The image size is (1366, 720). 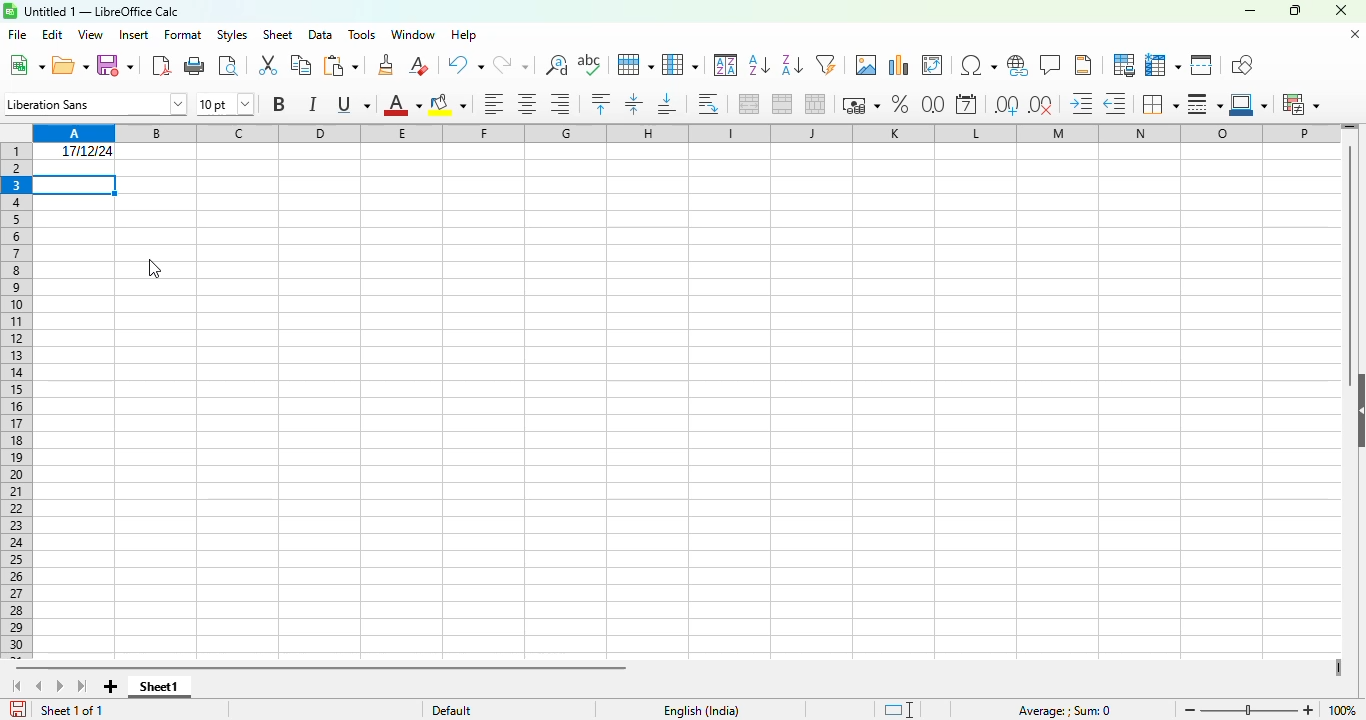 What do you see at coordinates (71, 65) in the screenshot?
I see `open` at bounding box center [71, 65].